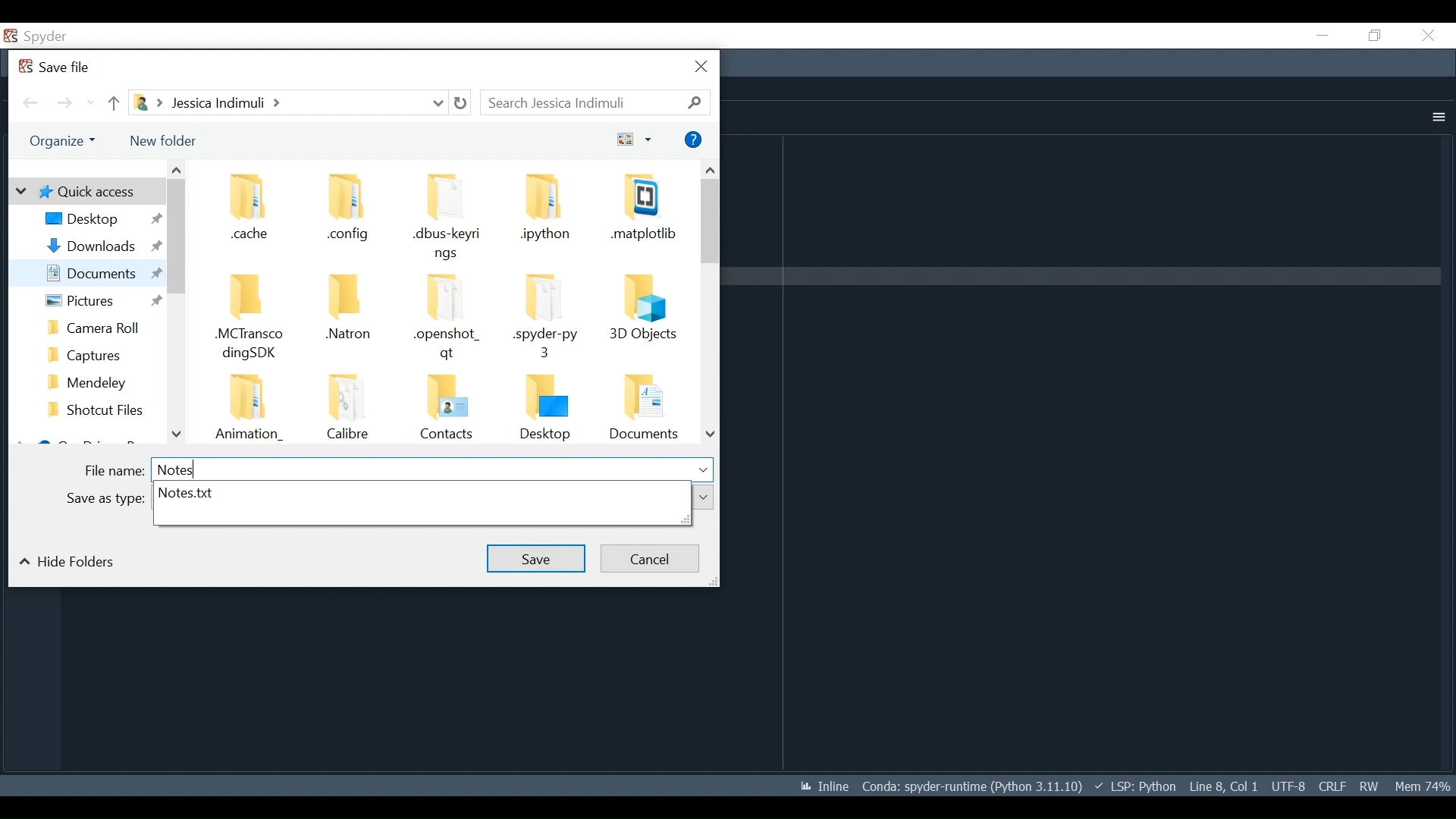  I want to click on Cursor Position, so click(1223, 786).